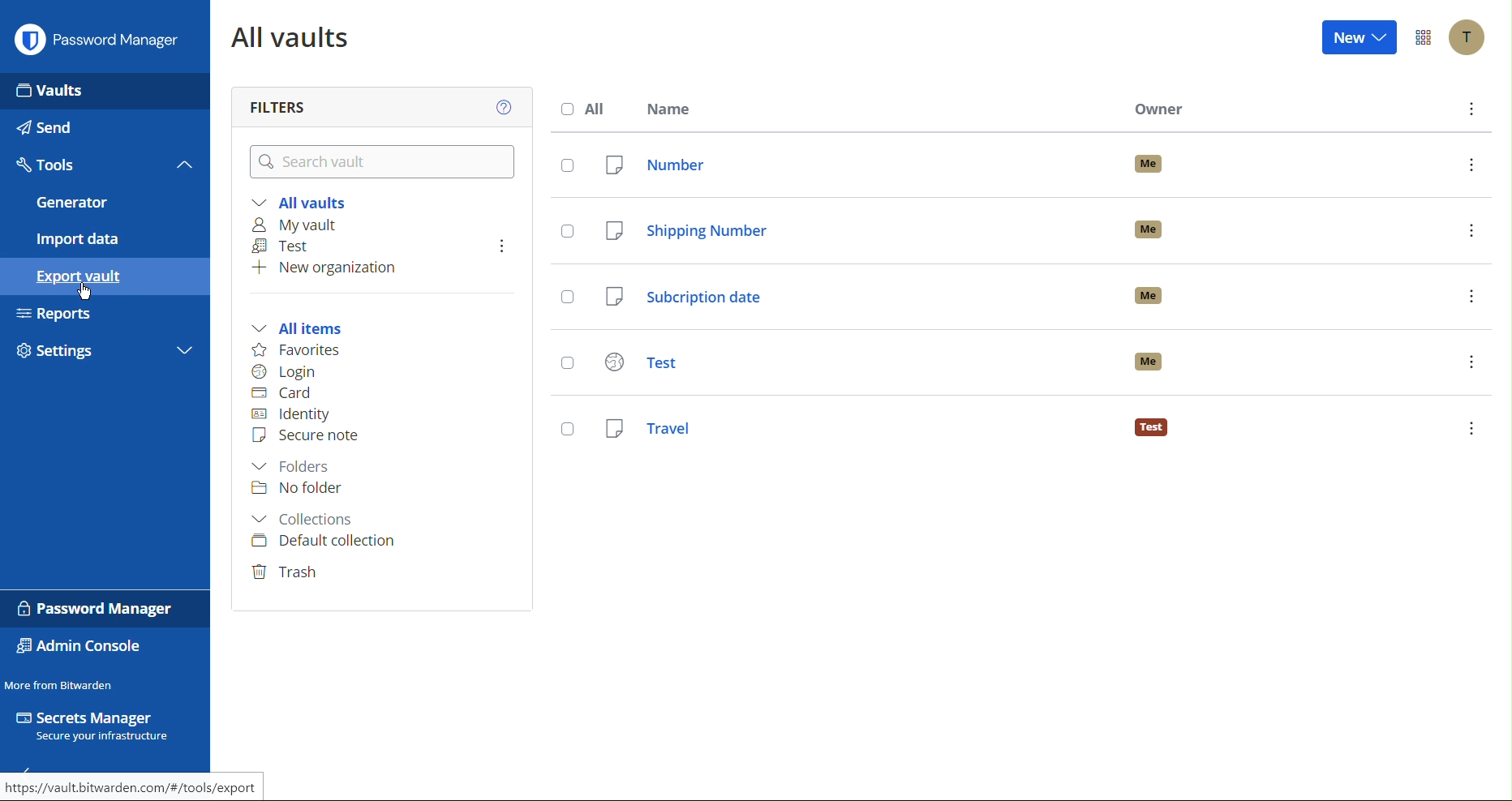  What do you see at coordinates (105, 129) in the screenshot?
I see `Send` at bounding box center [105, 129].